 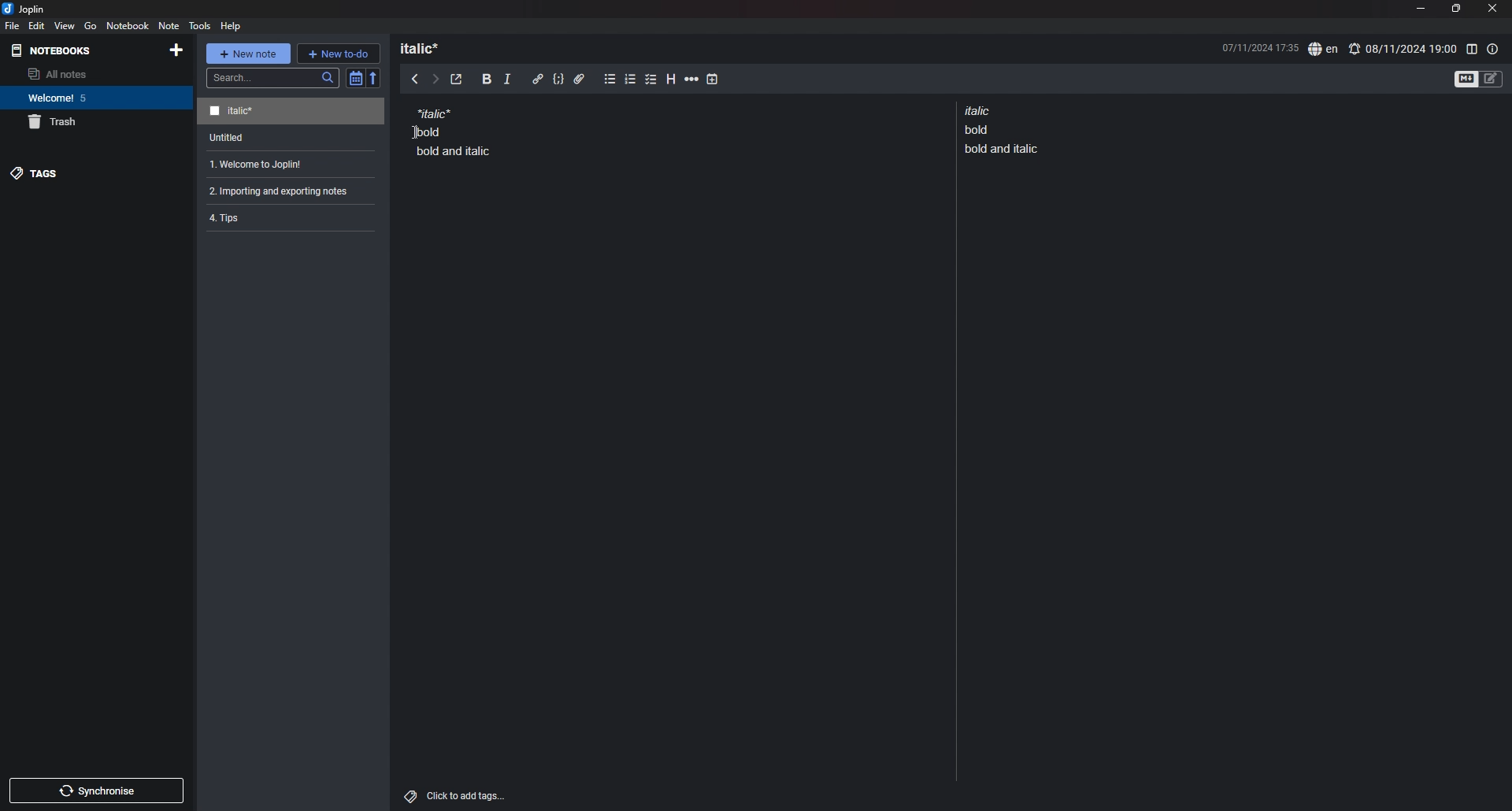 I want to click on note, so click(x=285, y=217).